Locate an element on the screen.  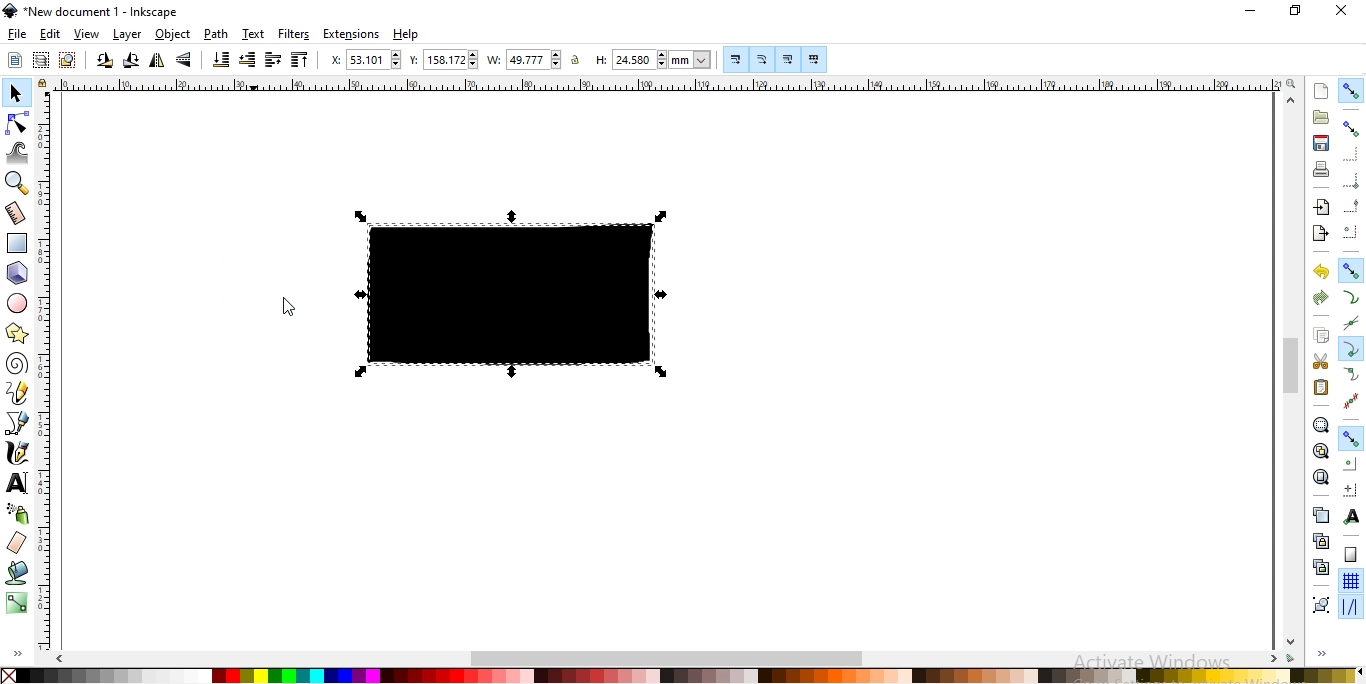
 is located at coordinates (1351, 401).